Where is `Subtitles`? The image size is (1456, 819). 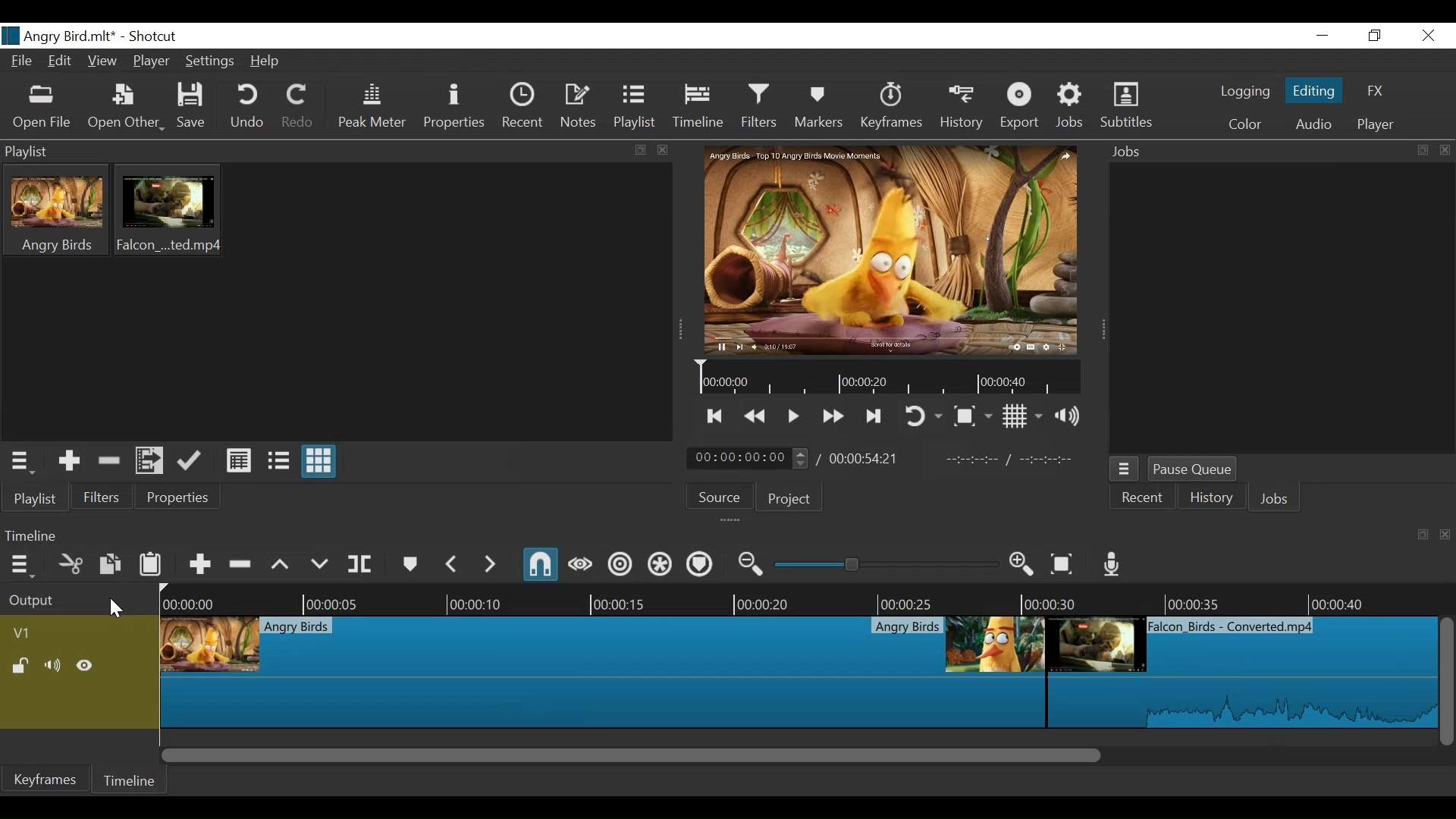
Subtitles is located at coordinates (1127, 108).